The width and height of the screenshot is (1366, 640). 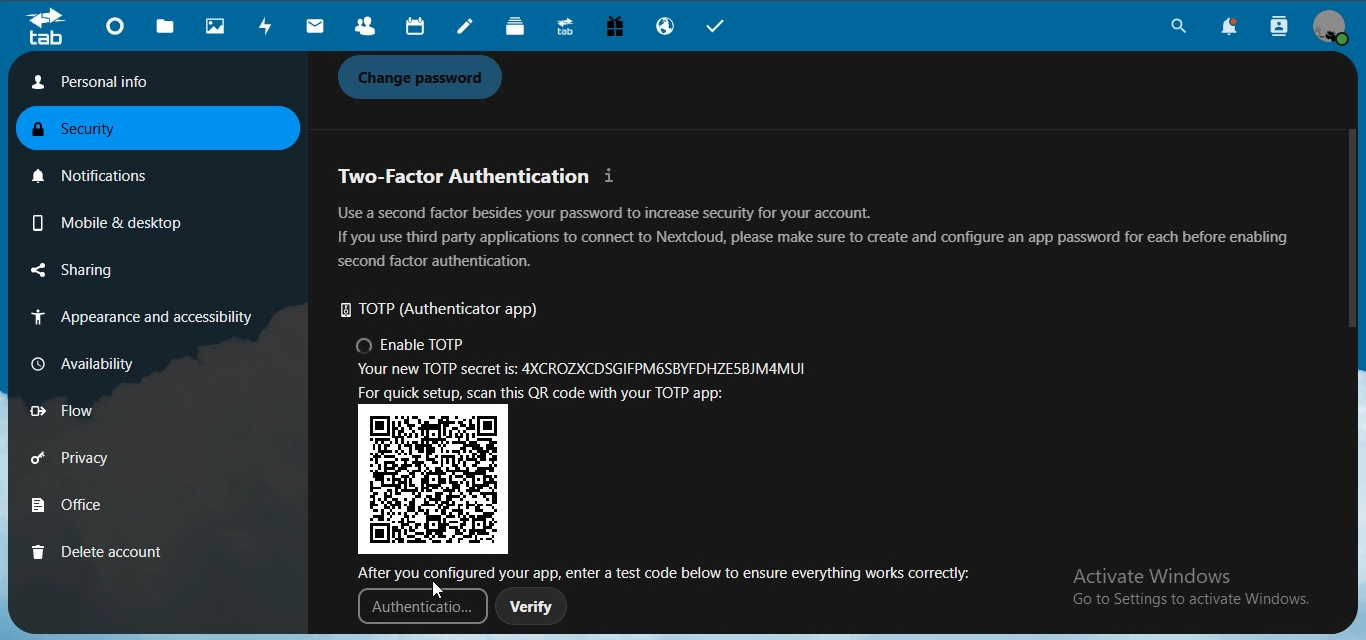 What do you see at coordinates (316, 27) in the screenshot?
I see `mail` at bounding box center [316, 27].